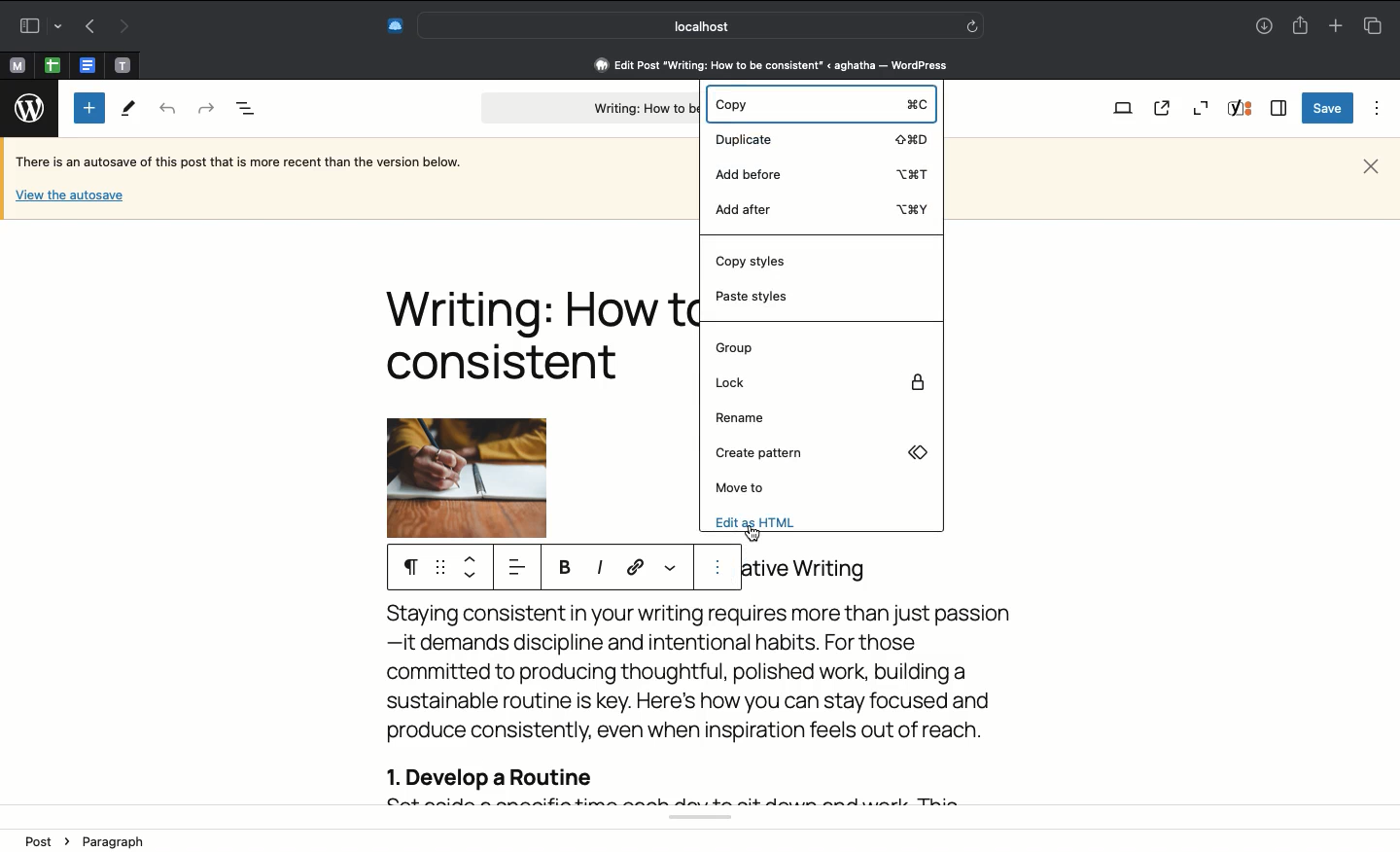 The height and width of the screenshot is (852, 1400). I want to click on Next page, so click(126, 25).